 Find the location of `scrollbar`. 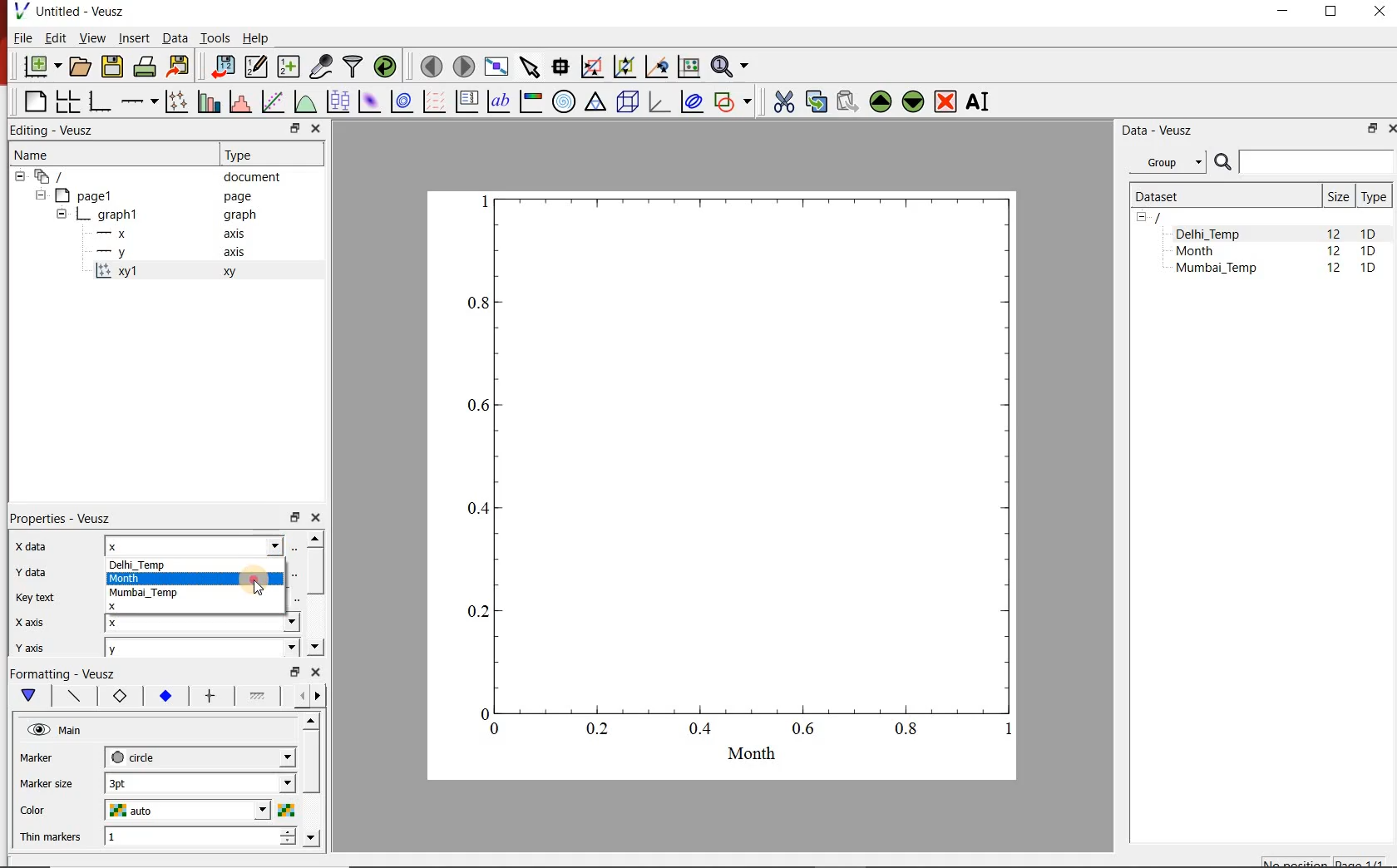

scrollbar is located at coordinates (313, 782).